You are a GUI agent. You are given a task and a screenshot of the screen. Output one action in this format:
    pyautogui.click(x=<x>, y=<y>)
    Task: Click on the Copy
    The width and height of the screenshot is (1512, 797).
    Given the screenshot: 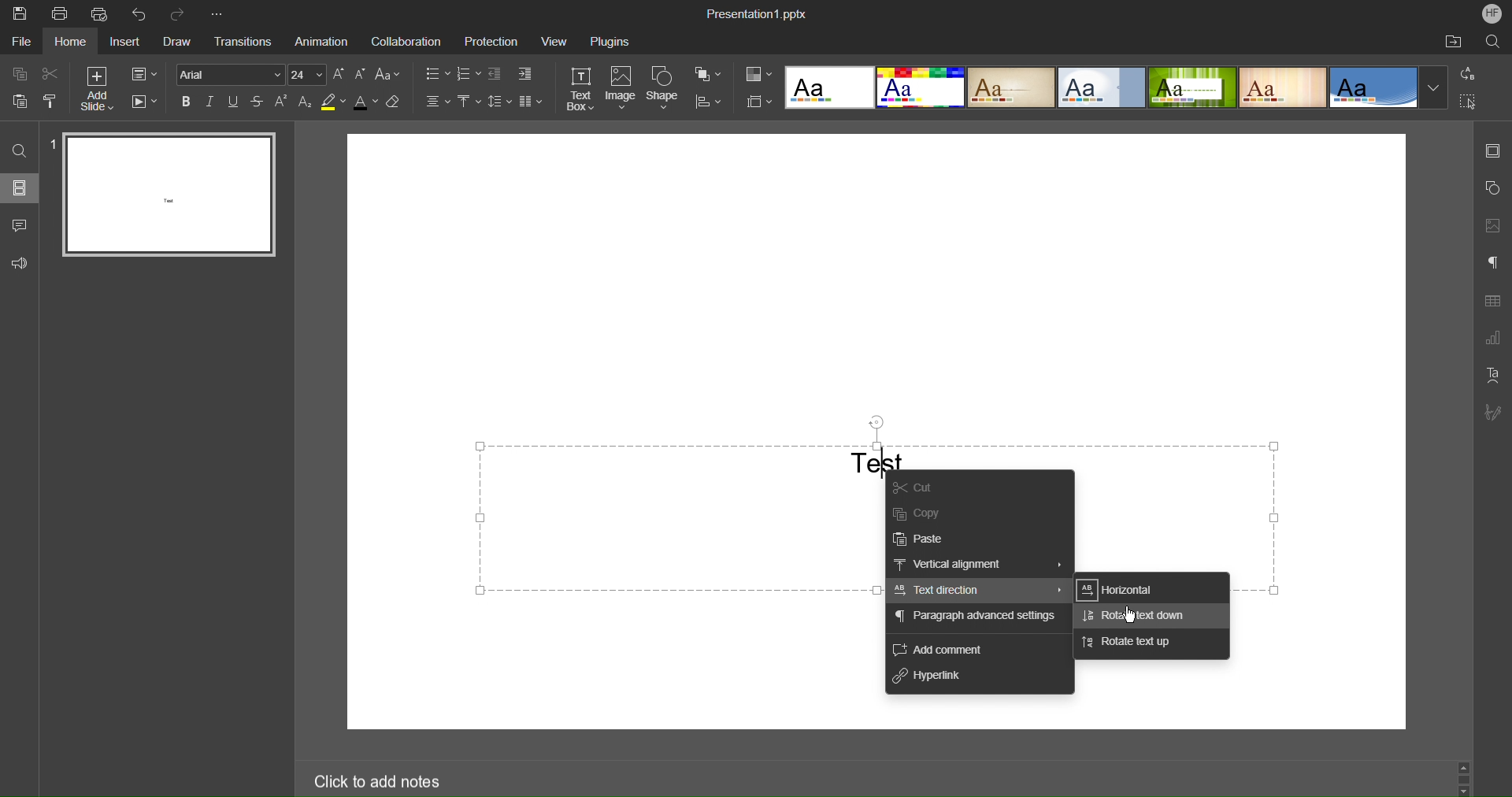 What is the action you would take?
    pyautogui.click(x=23, y=73)
    